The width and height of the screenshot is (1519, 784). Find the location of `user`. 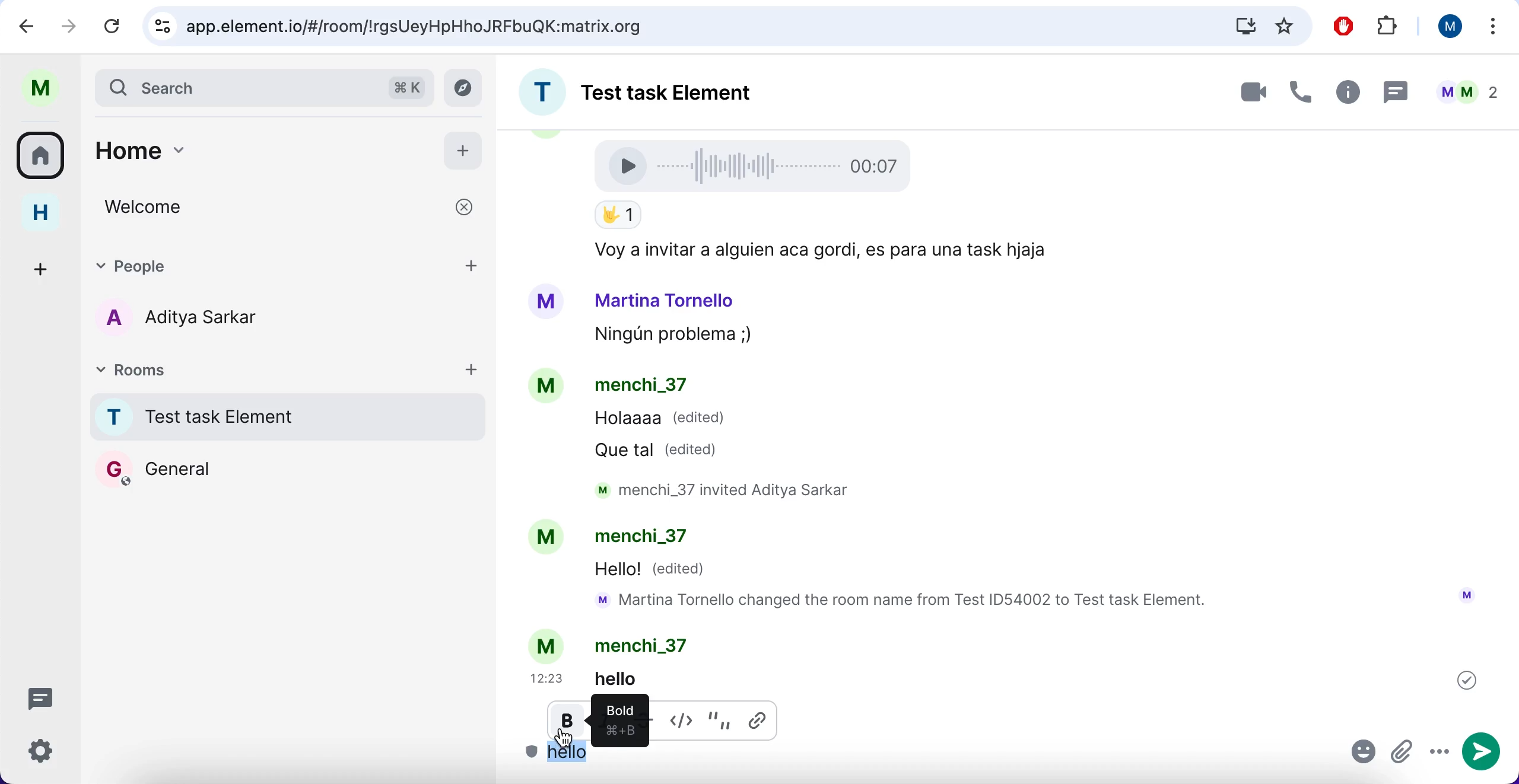

user is located at coordinates (1445, 26).